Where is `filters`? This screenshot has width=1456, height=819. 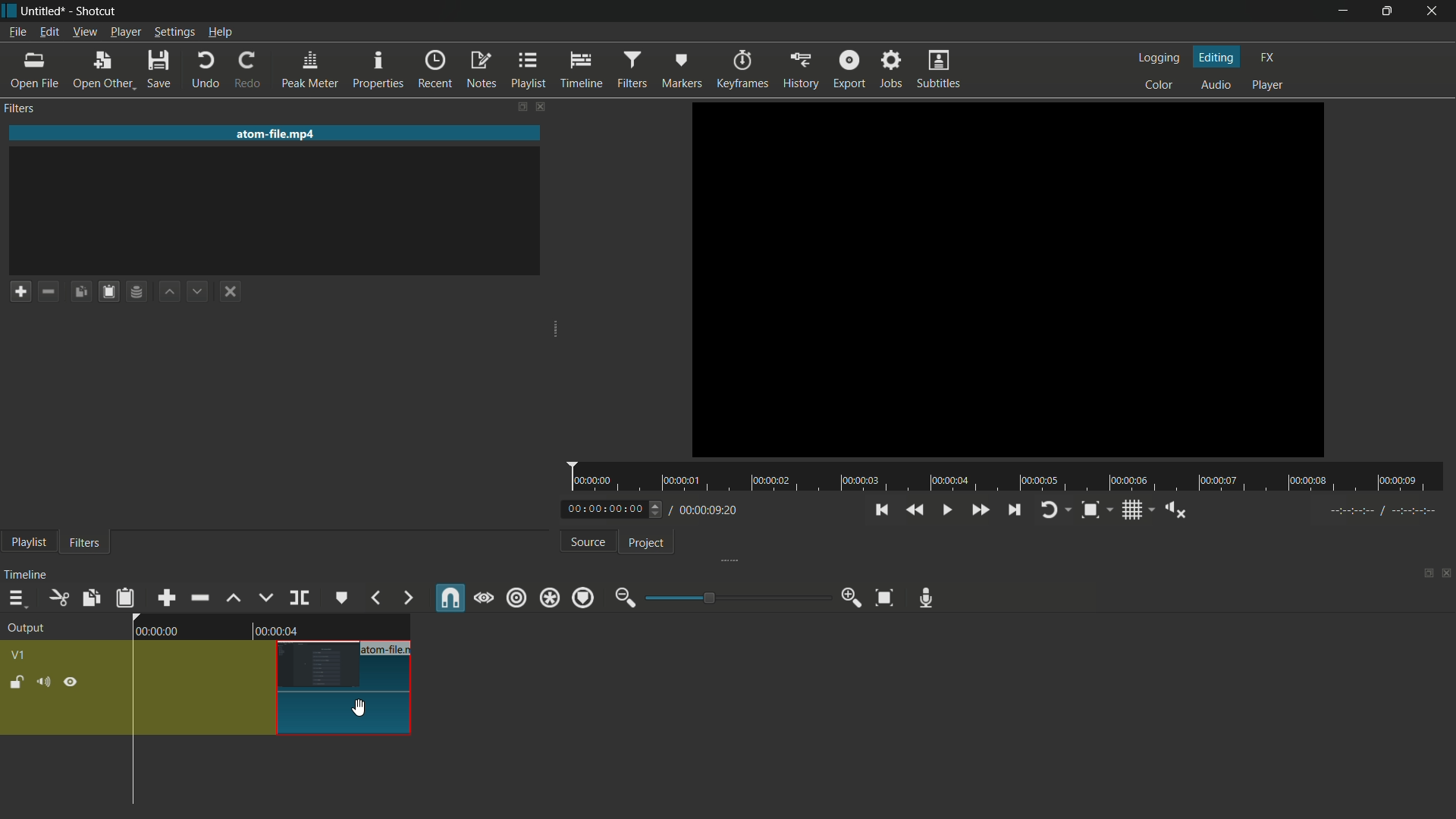
filters is located at coordinates (83, 543).